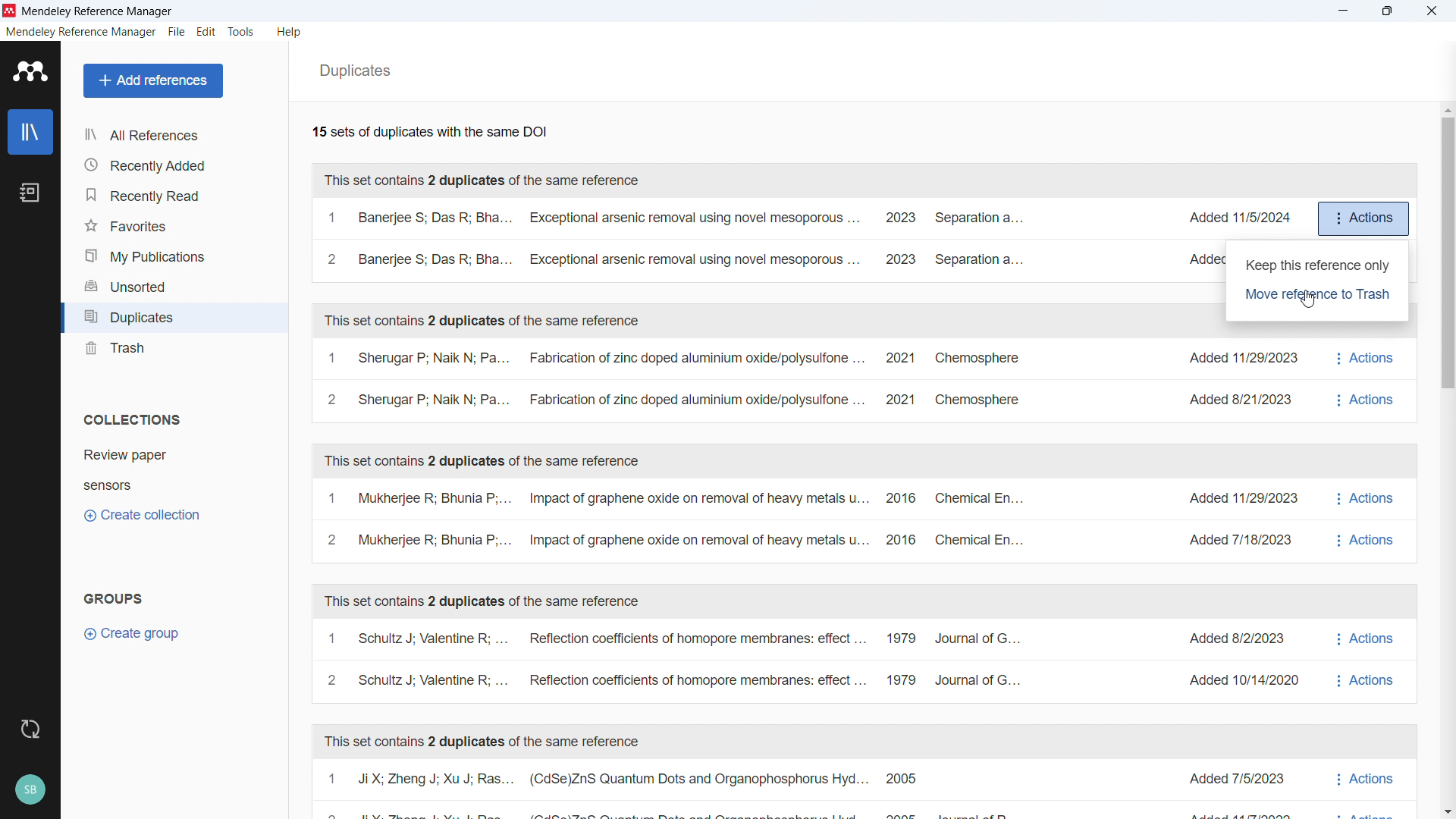  I want to click on This set contains two duplicates of the same reference, so click(487, 180).